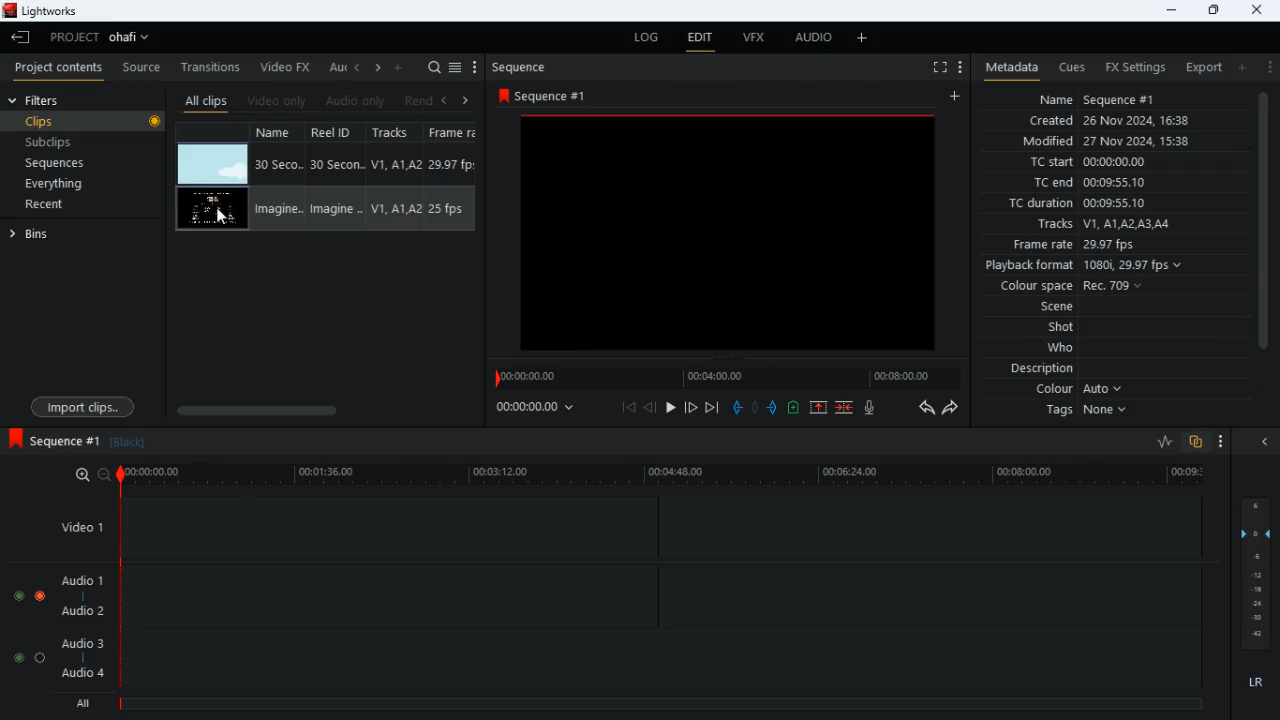  I want to click on video 1, so click(78, 527).